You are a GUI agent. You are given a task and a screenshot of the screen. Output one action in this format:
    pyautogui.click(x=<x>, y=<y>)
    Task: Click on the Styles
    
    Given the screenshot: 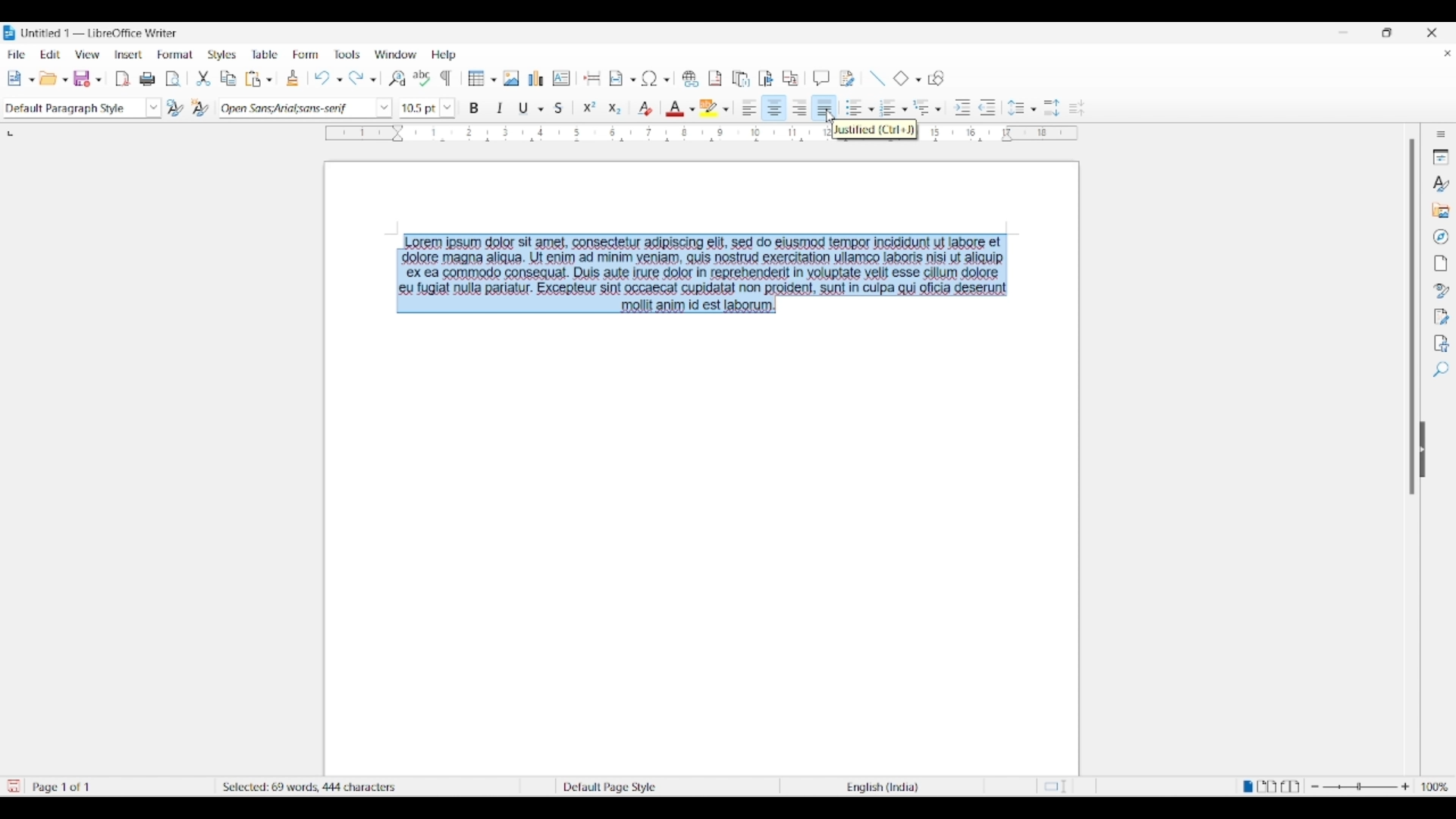 What is the action you would take?
    pyautogui.click(x=221, y=55)
    